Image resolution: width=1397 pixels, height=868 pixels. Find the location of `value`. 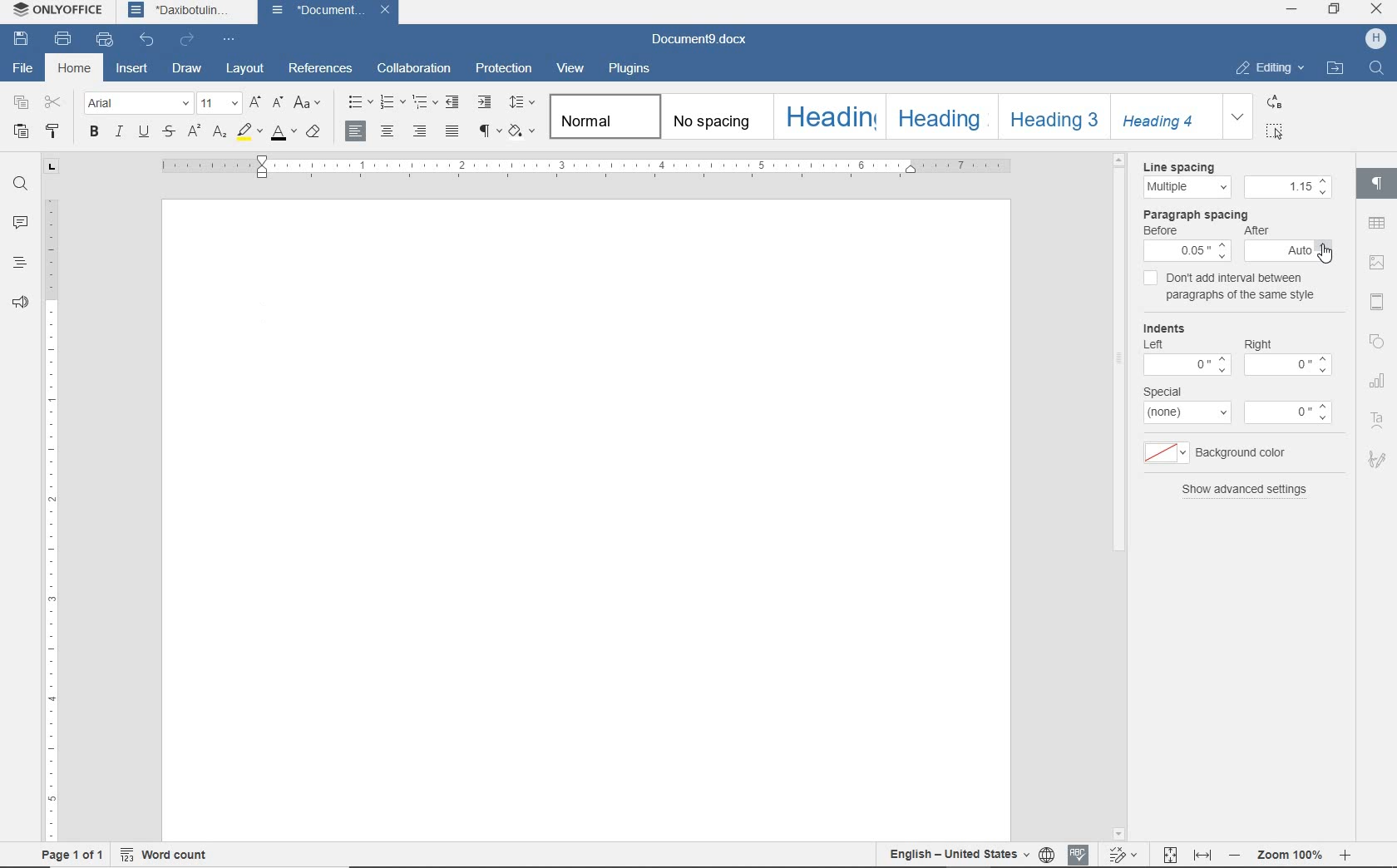

value is located at coordinates (1289, 365).